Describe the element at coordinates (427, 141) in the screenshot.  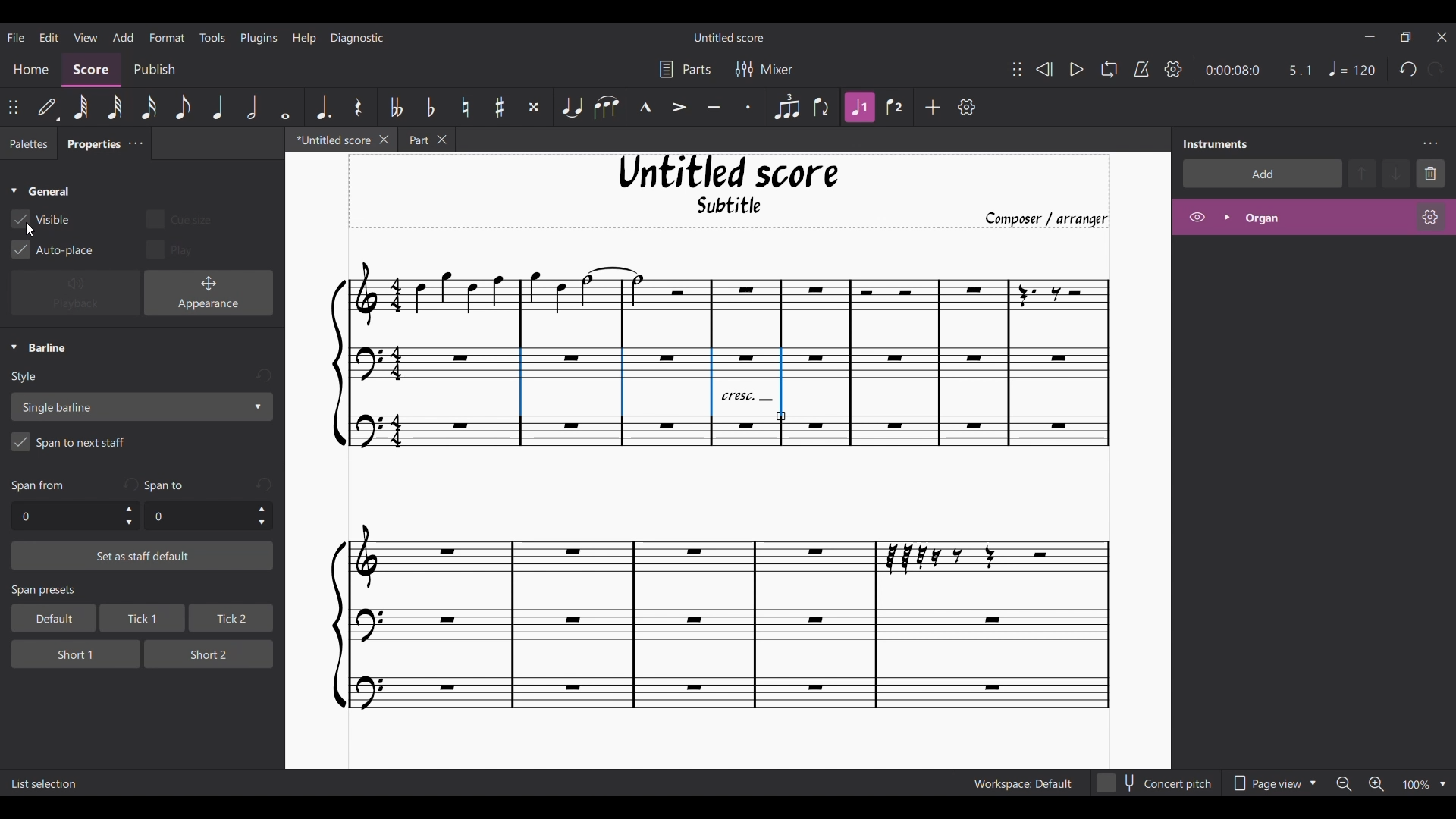
I see `Earlier tab` at that location.